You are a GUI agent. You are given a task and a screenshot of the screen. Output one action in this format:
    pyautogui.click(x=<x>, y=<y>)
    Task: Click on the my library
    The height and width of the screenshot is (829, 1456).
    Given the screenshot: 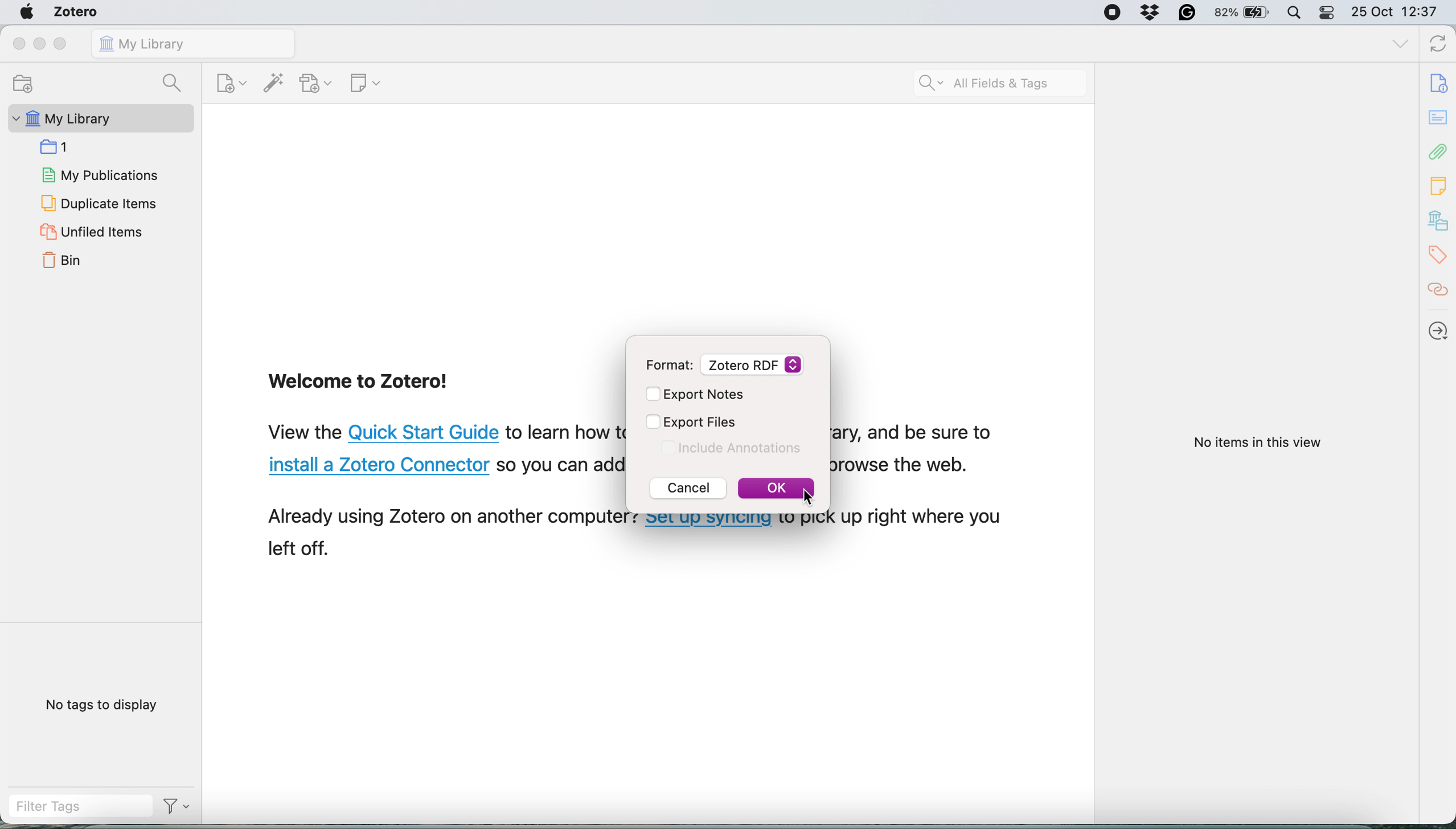 What is the action you would take?
    pyautogui.click(x=193, y=43)
    